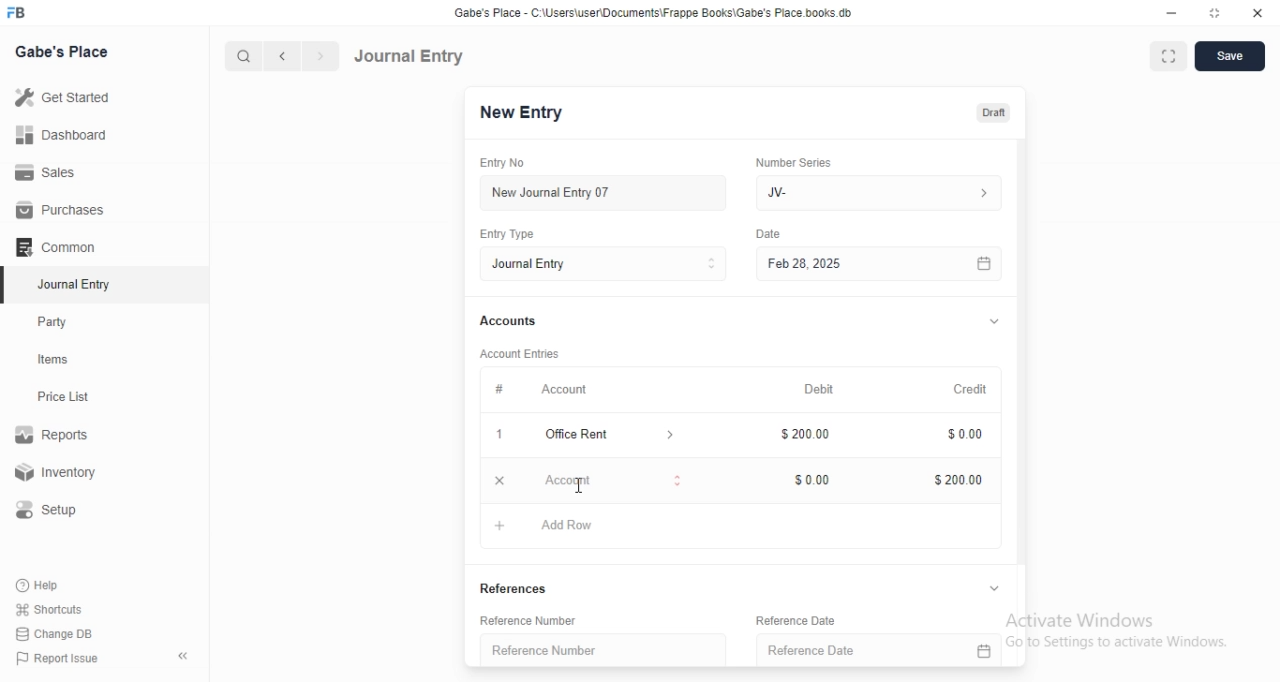 The height and width of the screenshot is (682, 1280). I want to click on Get Started, so click(61, 99).